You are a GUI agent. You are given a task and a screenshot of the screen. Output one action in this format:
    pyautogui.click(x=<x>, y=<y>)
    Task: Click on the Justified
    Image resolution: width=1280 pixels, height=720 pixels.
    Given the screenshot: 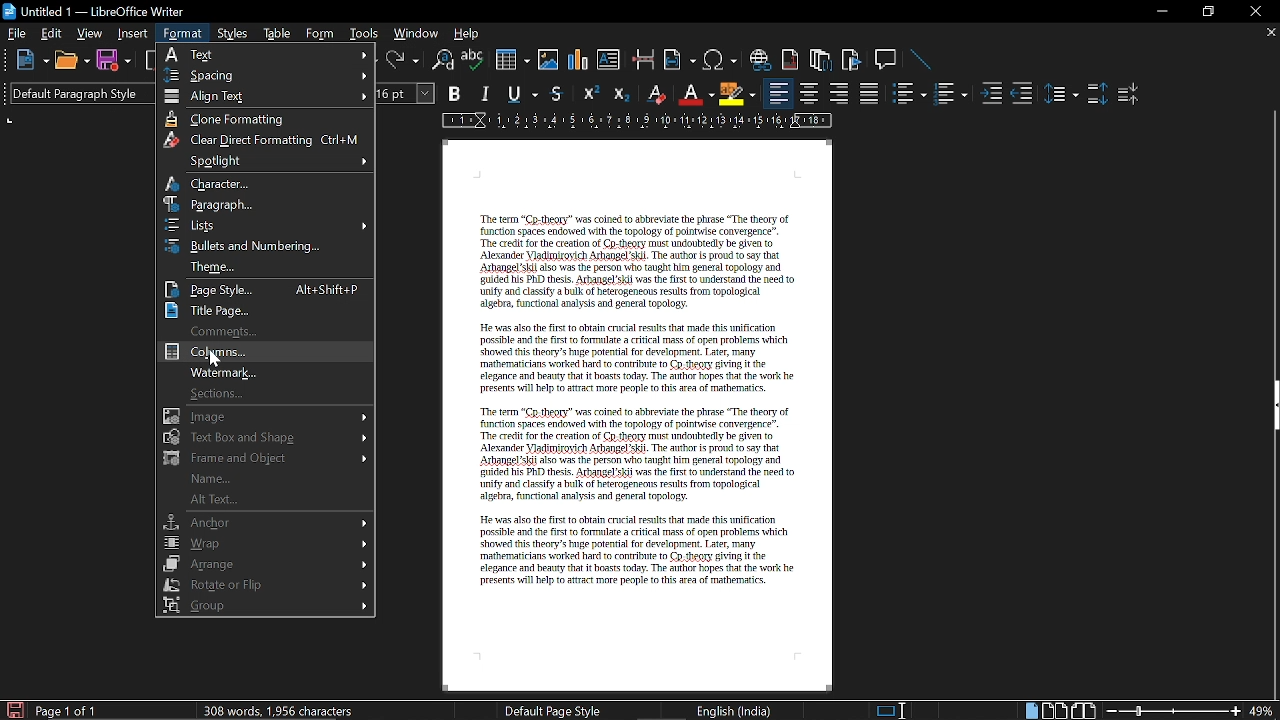 What is the action you would take?
    pyautogui.click(x=871, y=93)
    